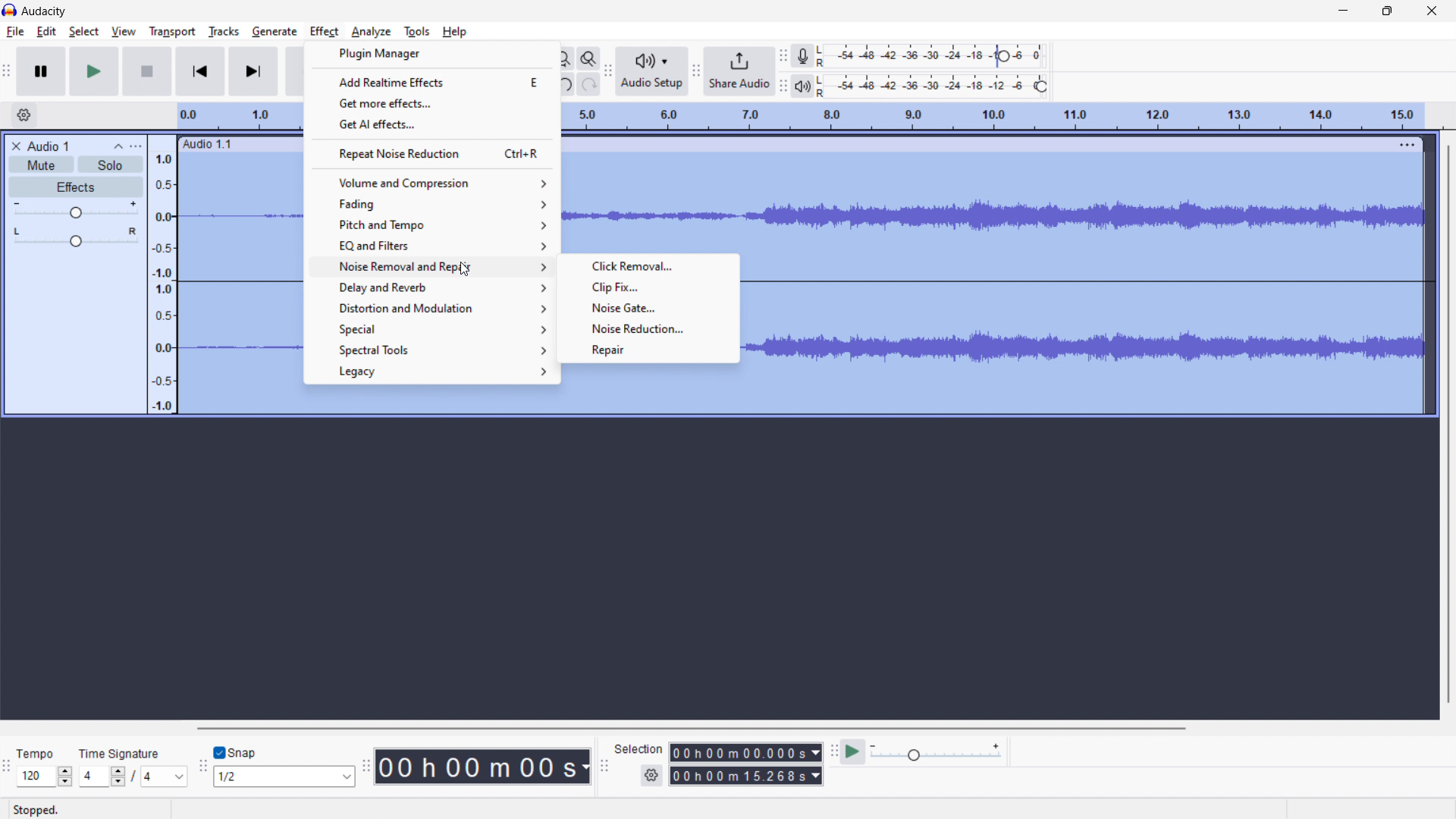 The width and height of the screenshot is (1456, 819). I want to click on end time, so click(745, 775).